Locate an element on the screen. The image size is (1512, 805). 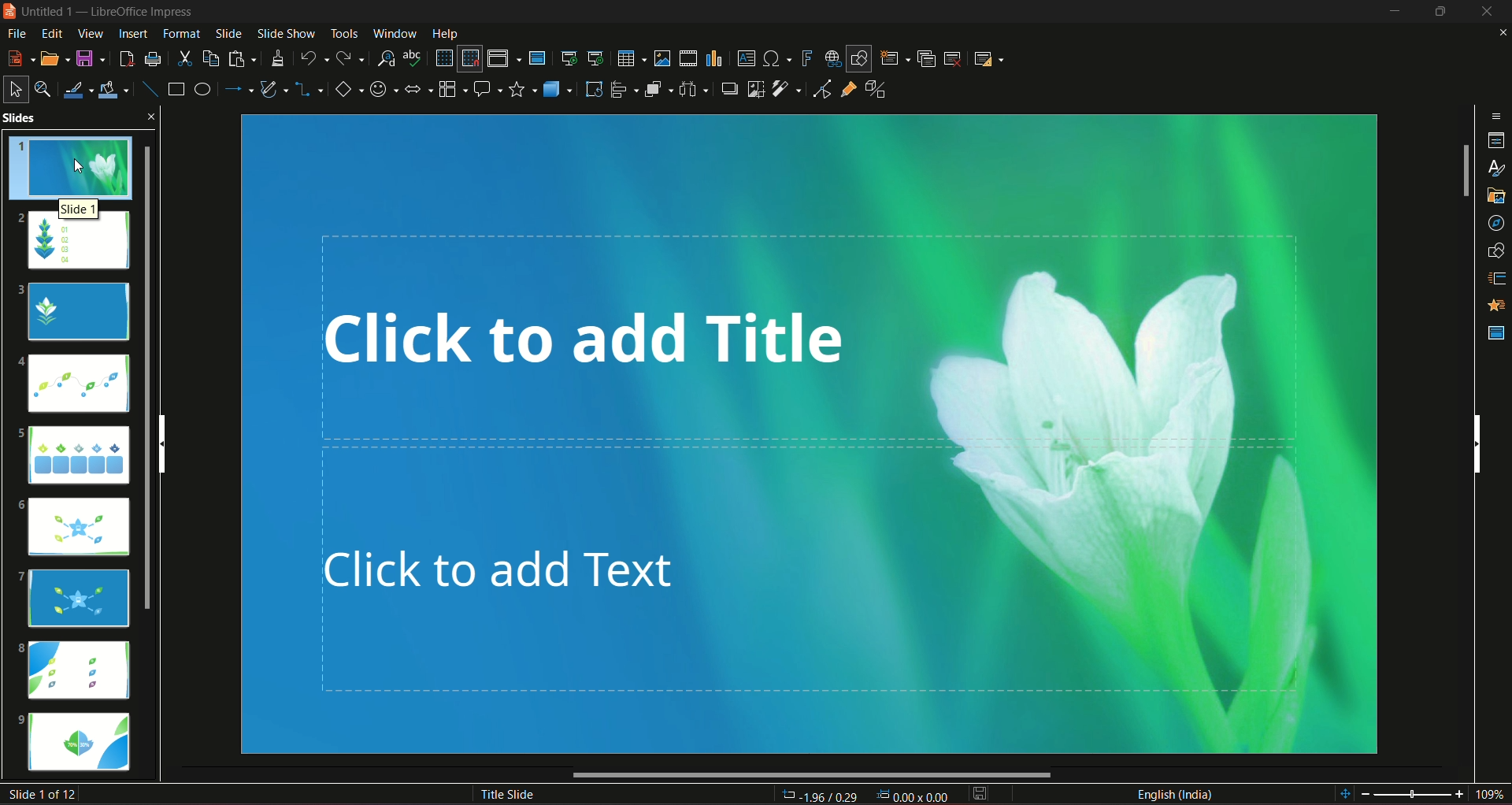
insert hyperlink is located at coordinates (829, 57).